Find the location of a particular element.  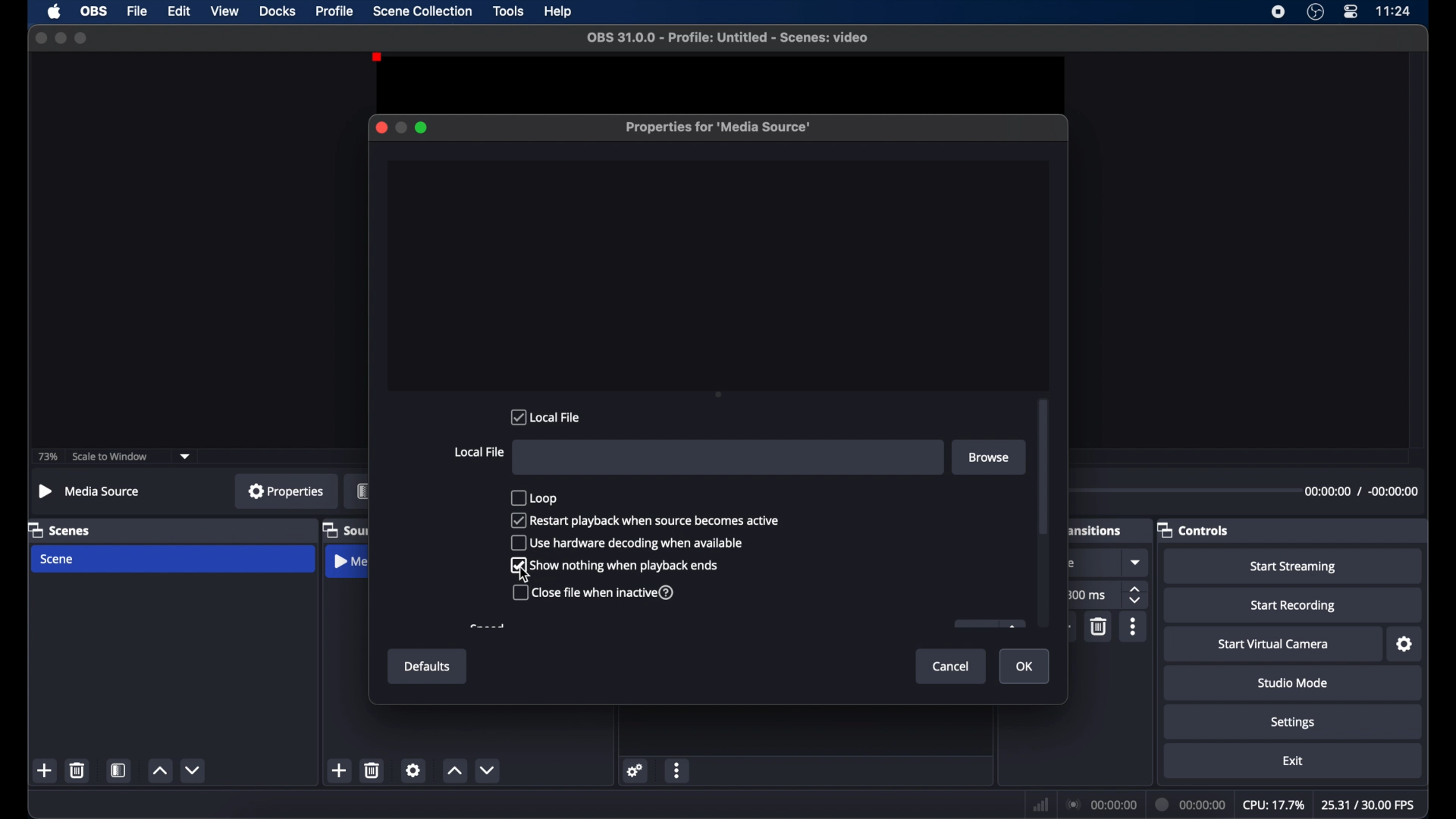

obs is located at coordinates (96, 11).